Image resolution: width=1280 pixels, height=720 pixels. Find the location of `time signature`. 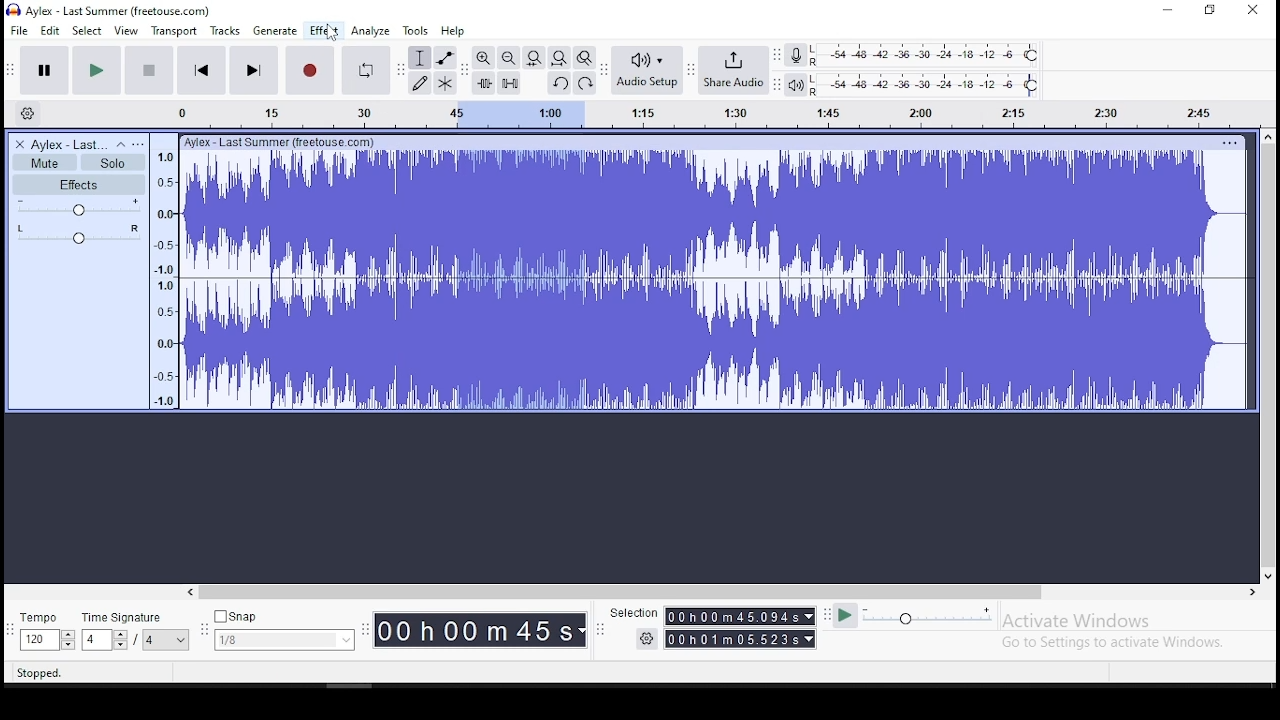

time signature is located at coordinates (136, 633).